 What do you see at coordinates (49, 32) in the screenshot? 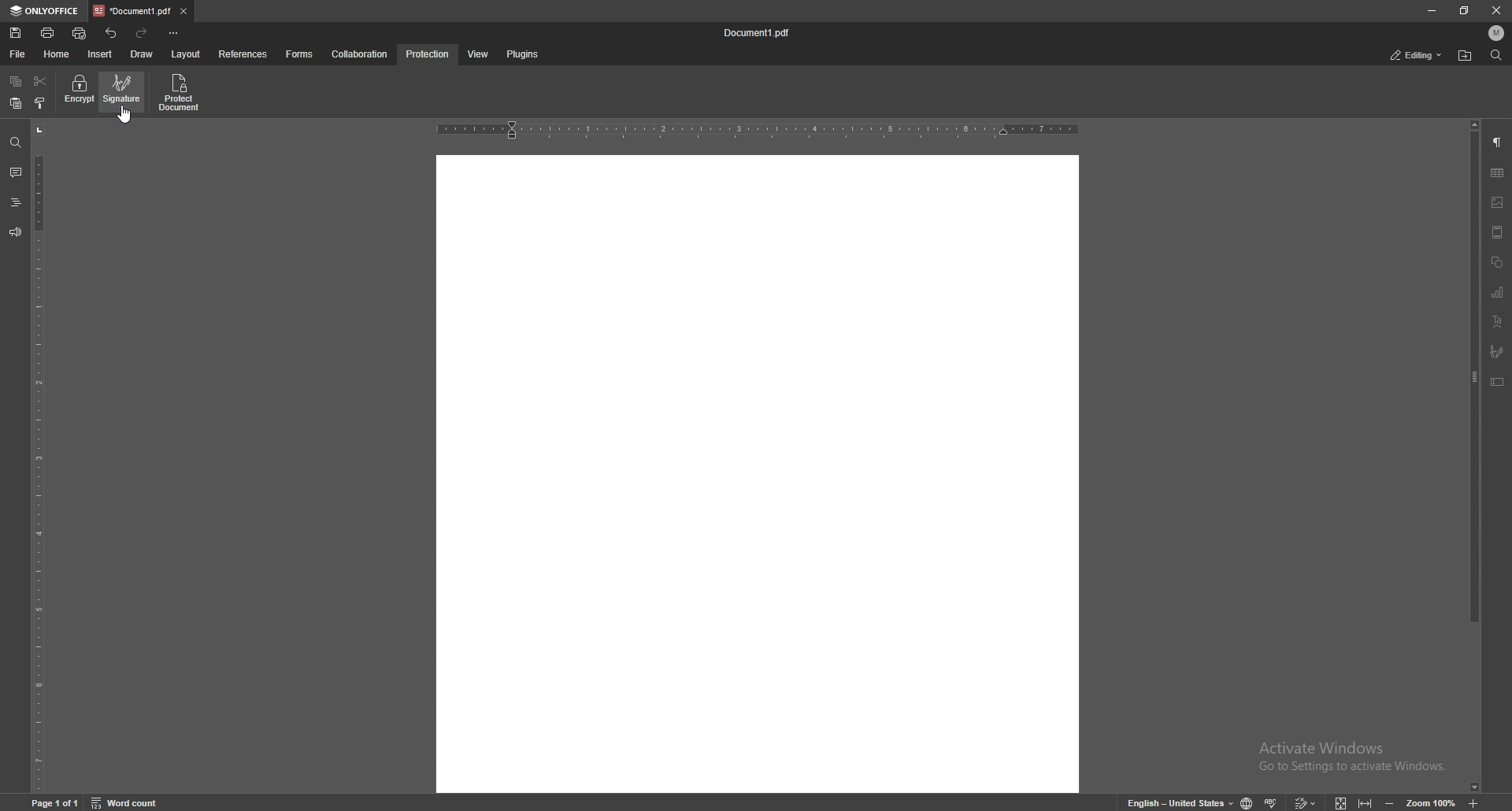
I see `print` at bounding box center [49, 32].